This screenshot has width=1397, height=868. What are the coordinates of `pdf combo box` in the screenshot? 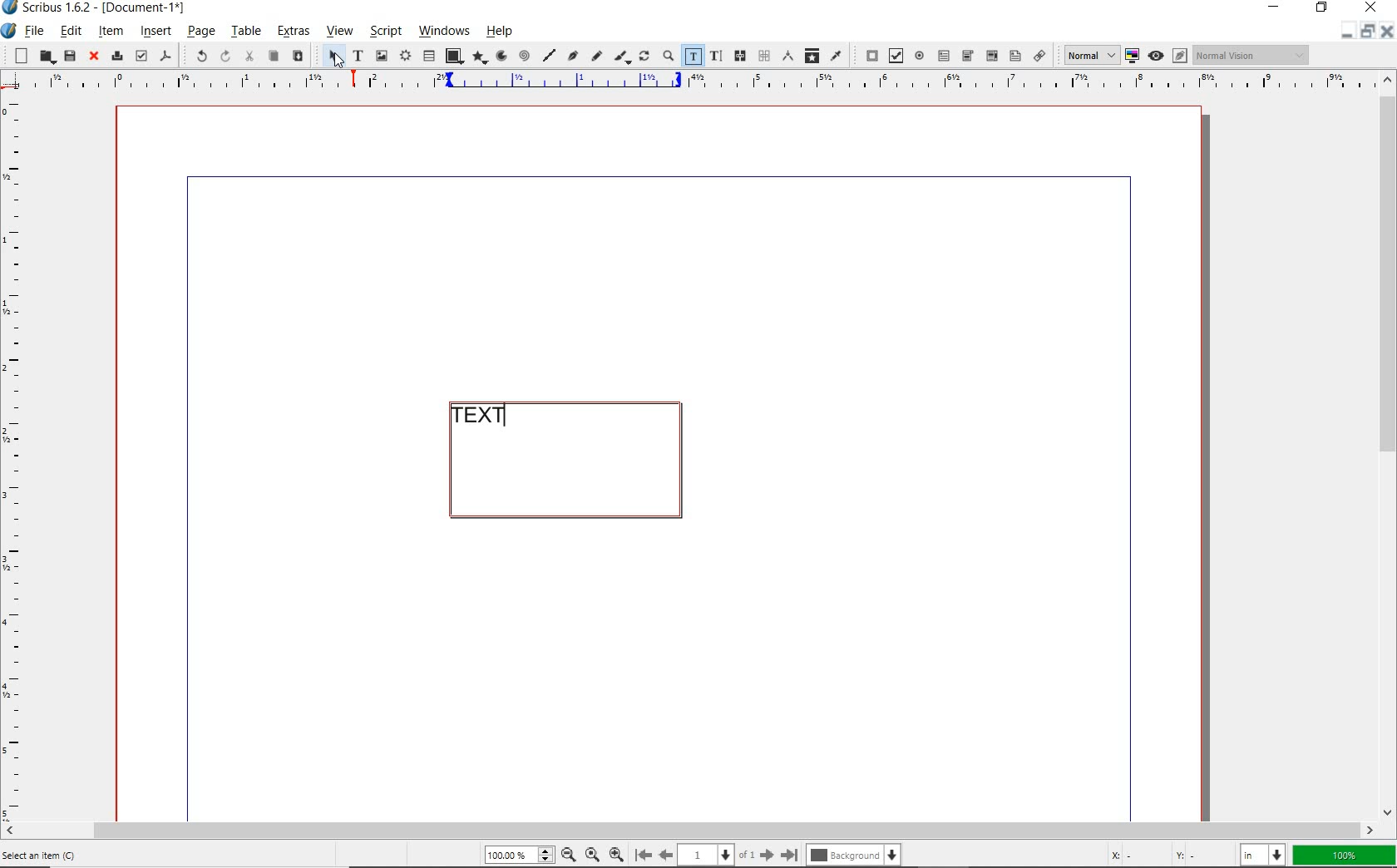 It's located at (967, 57).